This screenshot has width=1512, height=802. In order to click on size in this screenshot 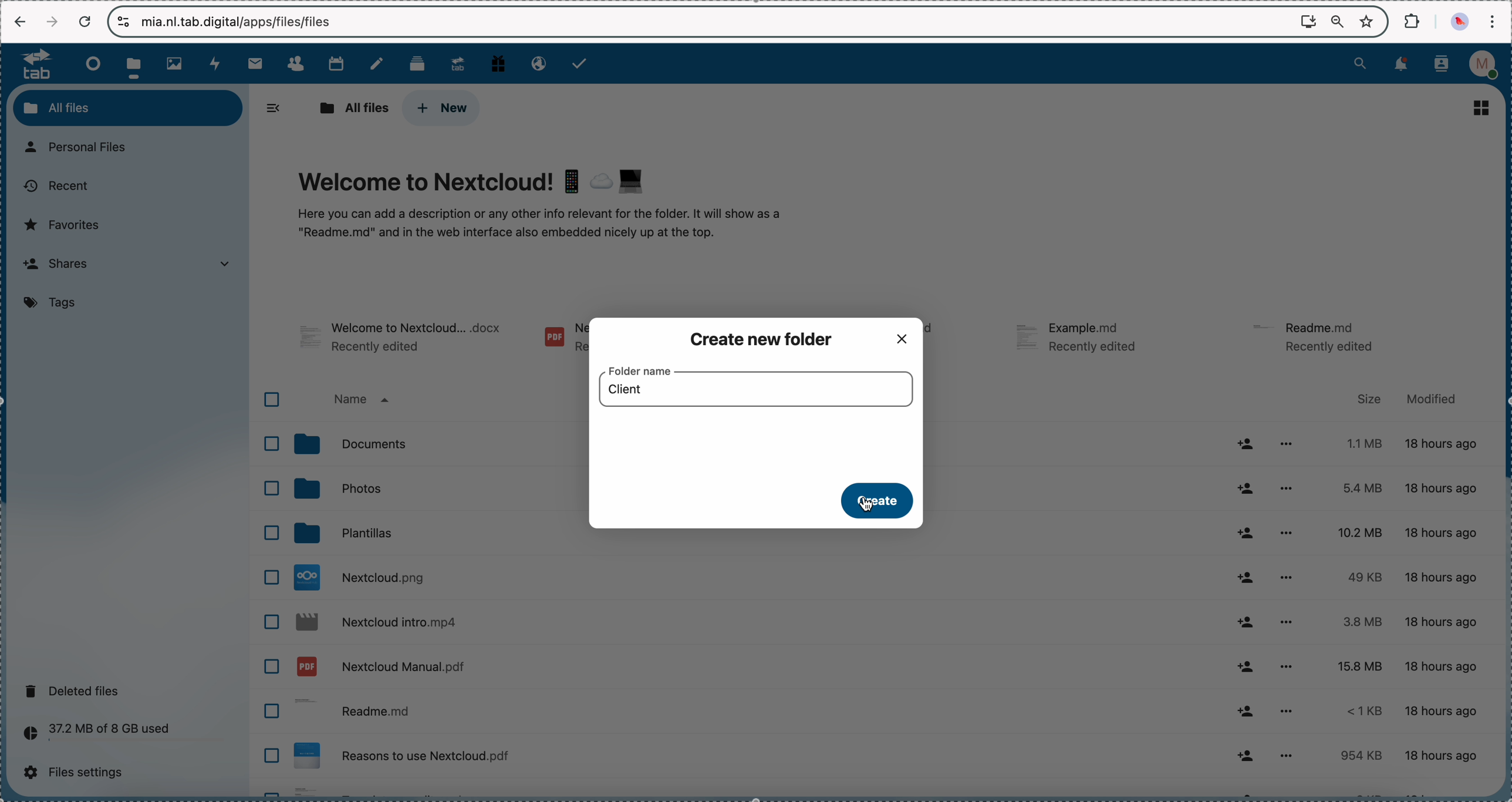, I will do `click(1369, 399)`.